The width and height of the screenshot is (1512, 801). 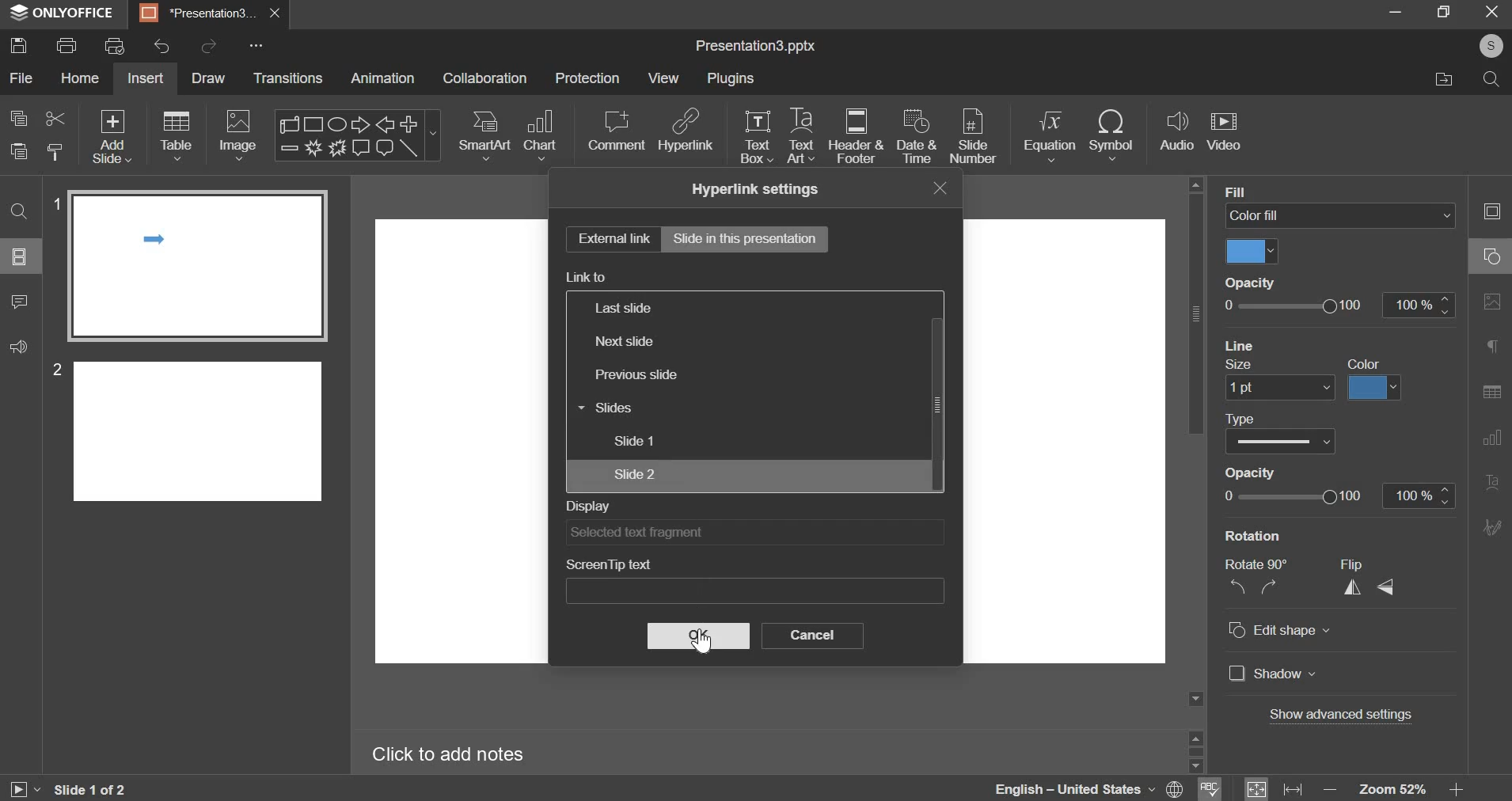 I want to click on audio, so click(x=1178, y=131).